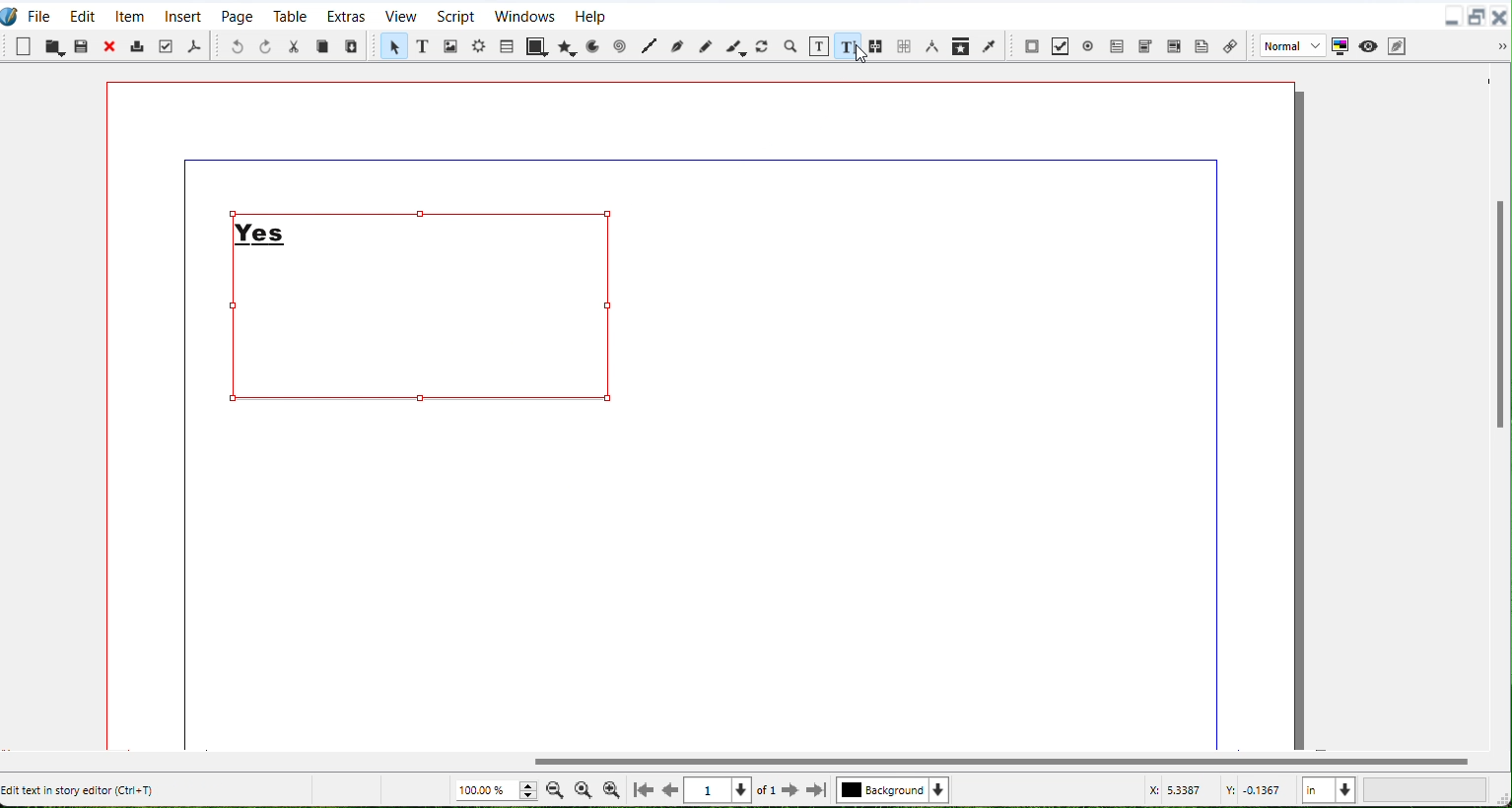  I want to click on Vertical scroll bar, so click(740, 761).